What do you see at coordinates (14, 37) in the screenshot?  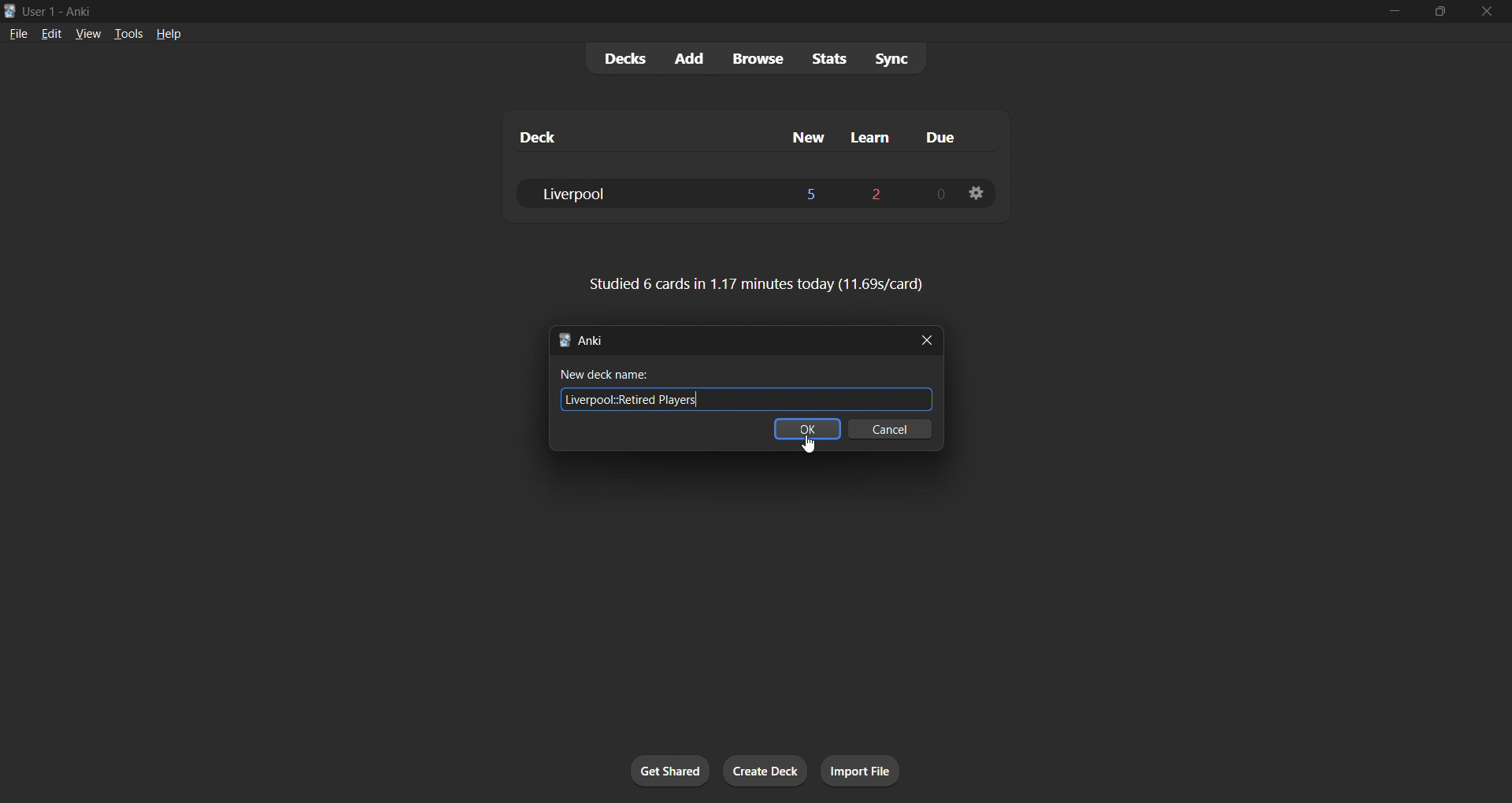 I see `file` at bounding box center [14, 37].